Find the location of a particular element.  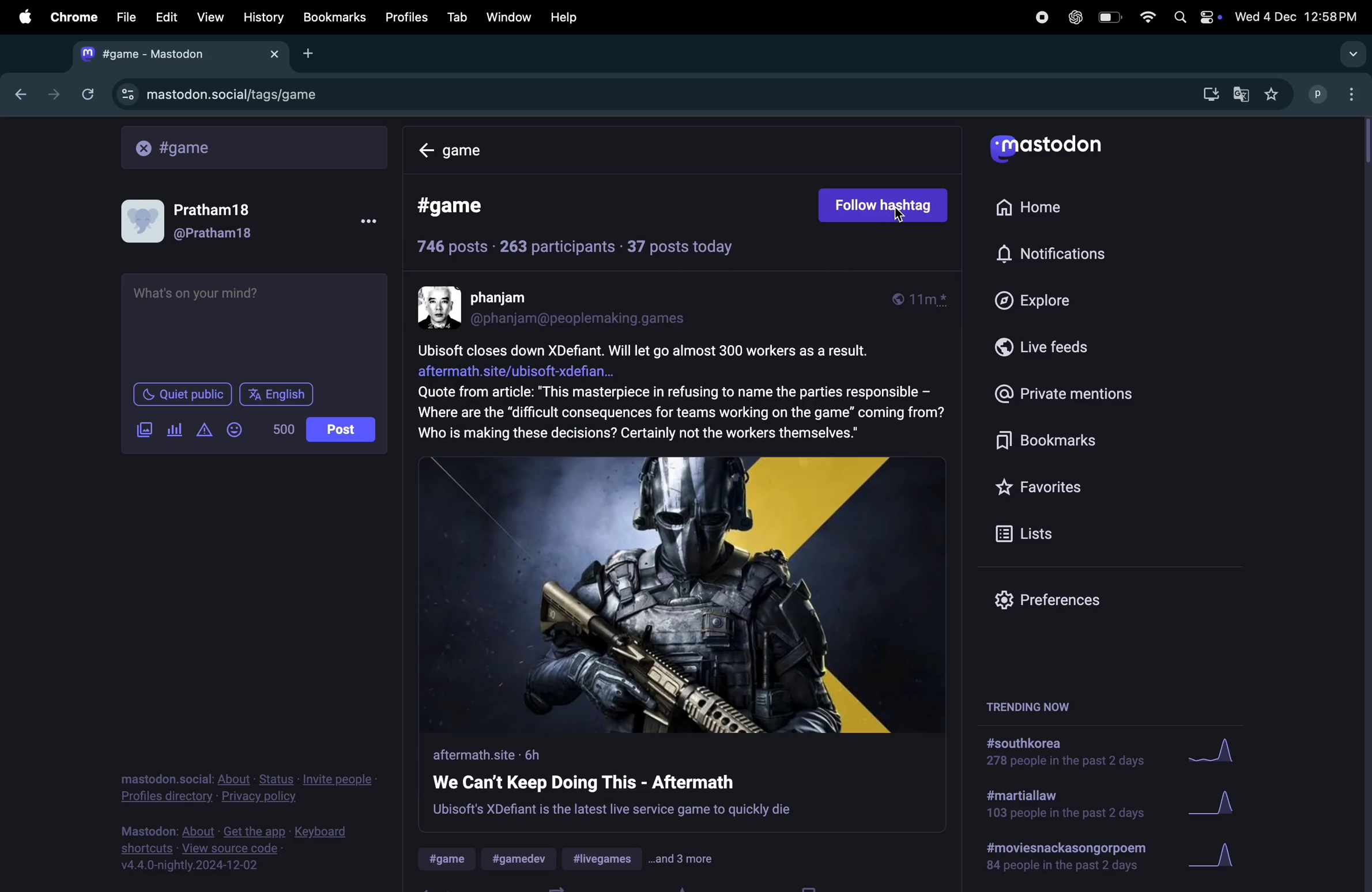

drop down menu is located at coordinates (1348, 52).